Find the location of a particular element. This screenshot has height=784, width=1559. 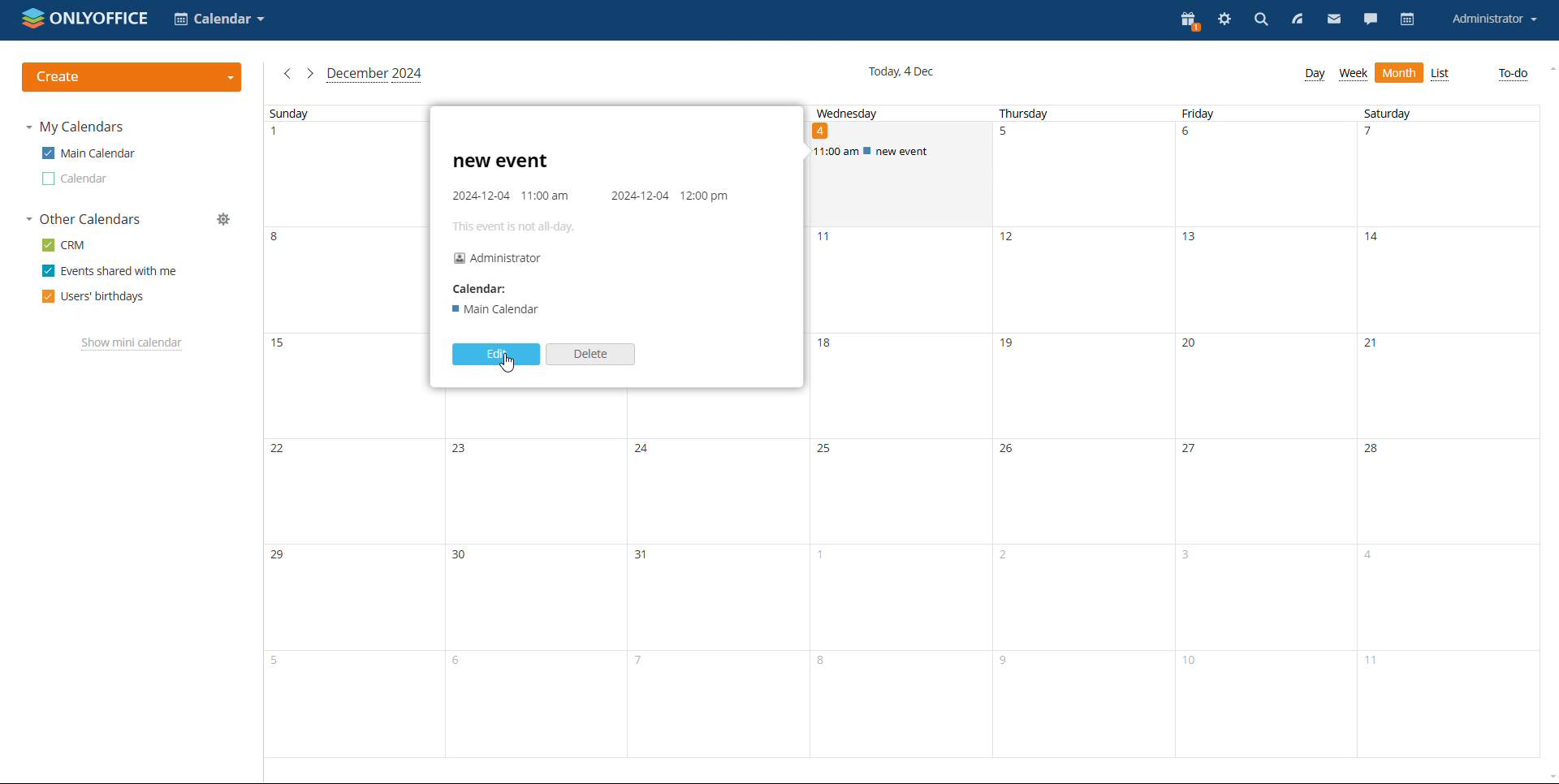

previous month is located at coordinates (286, 74).